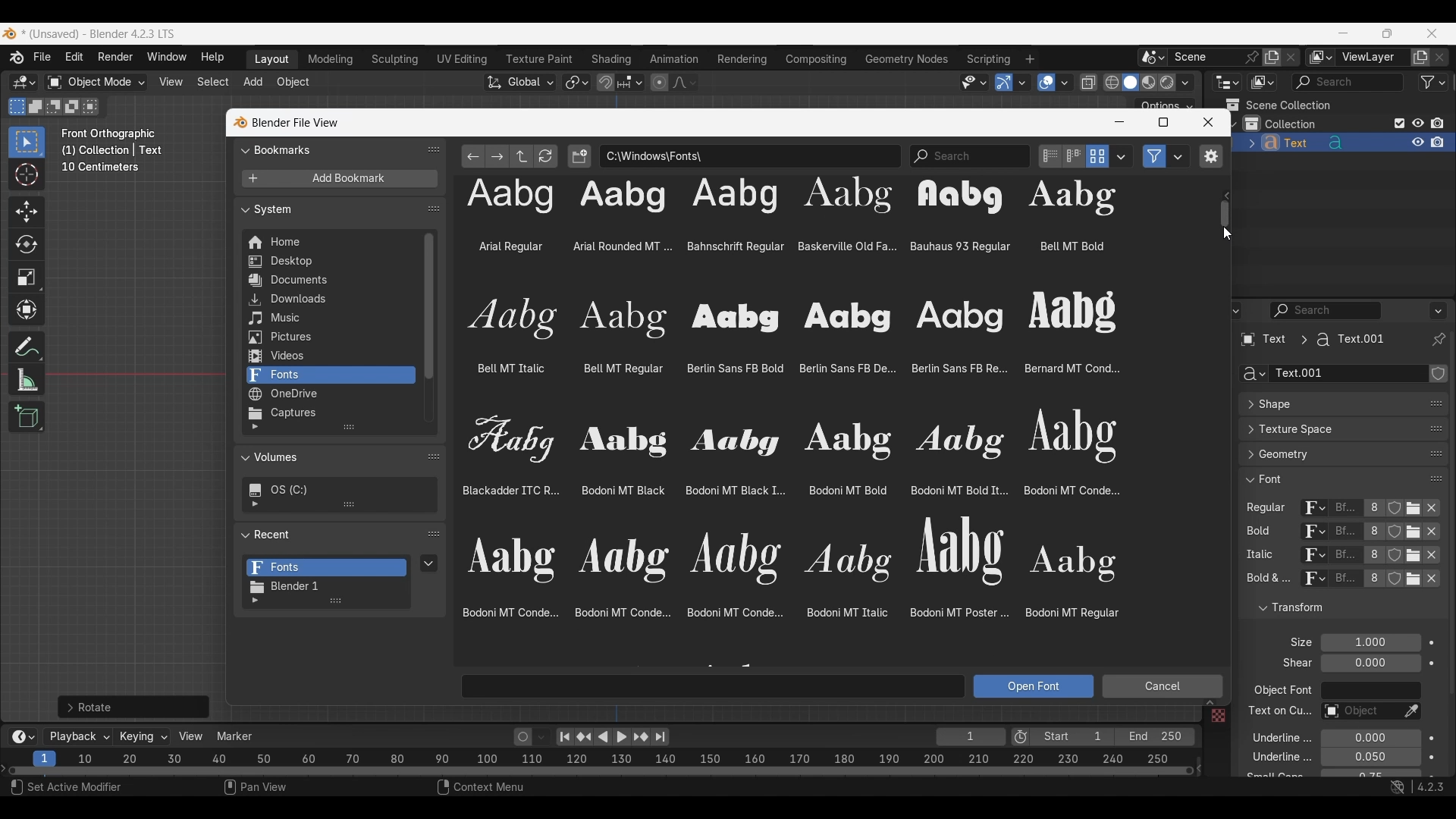 Image resolution: width=1456 pixels, height=819 pixels. What do you see at coordinates (27, 176) in the screenshot?
I see `Cursor` at bounding box center [27, 176].